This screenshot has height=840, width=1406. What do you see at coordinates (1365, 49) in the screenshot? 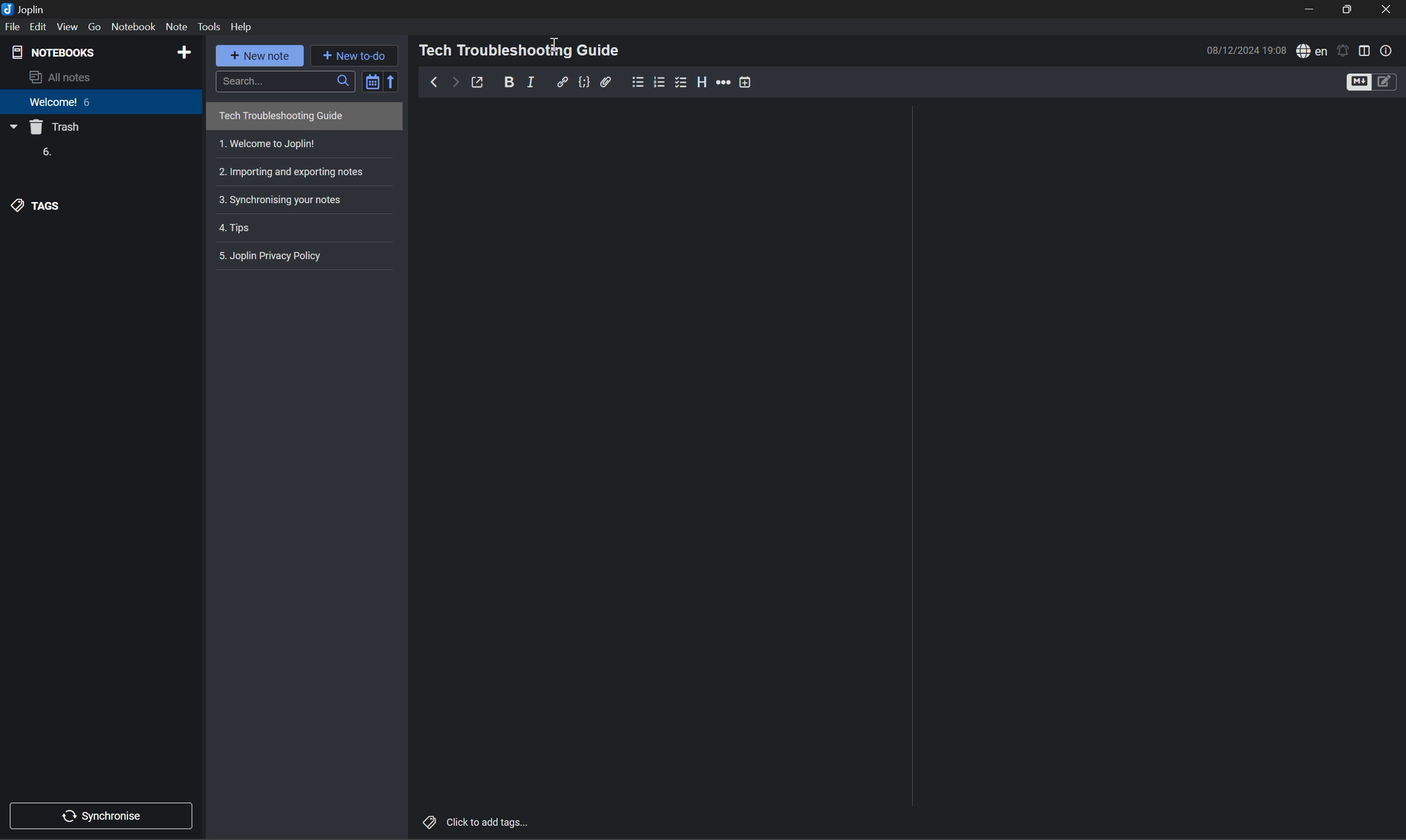
I see `Toggle editor layout` at bounding box center [1365, 49].